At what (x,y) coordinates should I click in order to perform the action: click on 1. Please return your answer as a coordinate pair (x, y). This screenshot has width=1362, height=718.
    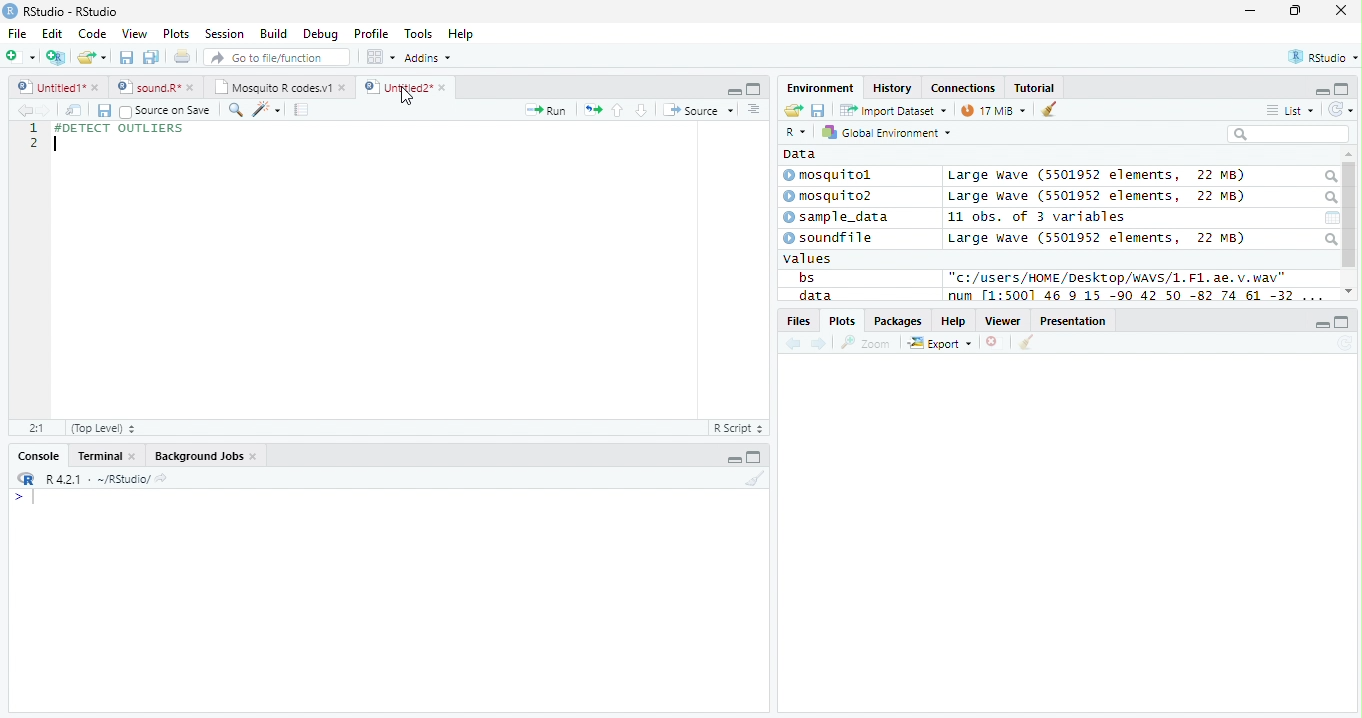
    Looking at the image, I should click on (33, 127).